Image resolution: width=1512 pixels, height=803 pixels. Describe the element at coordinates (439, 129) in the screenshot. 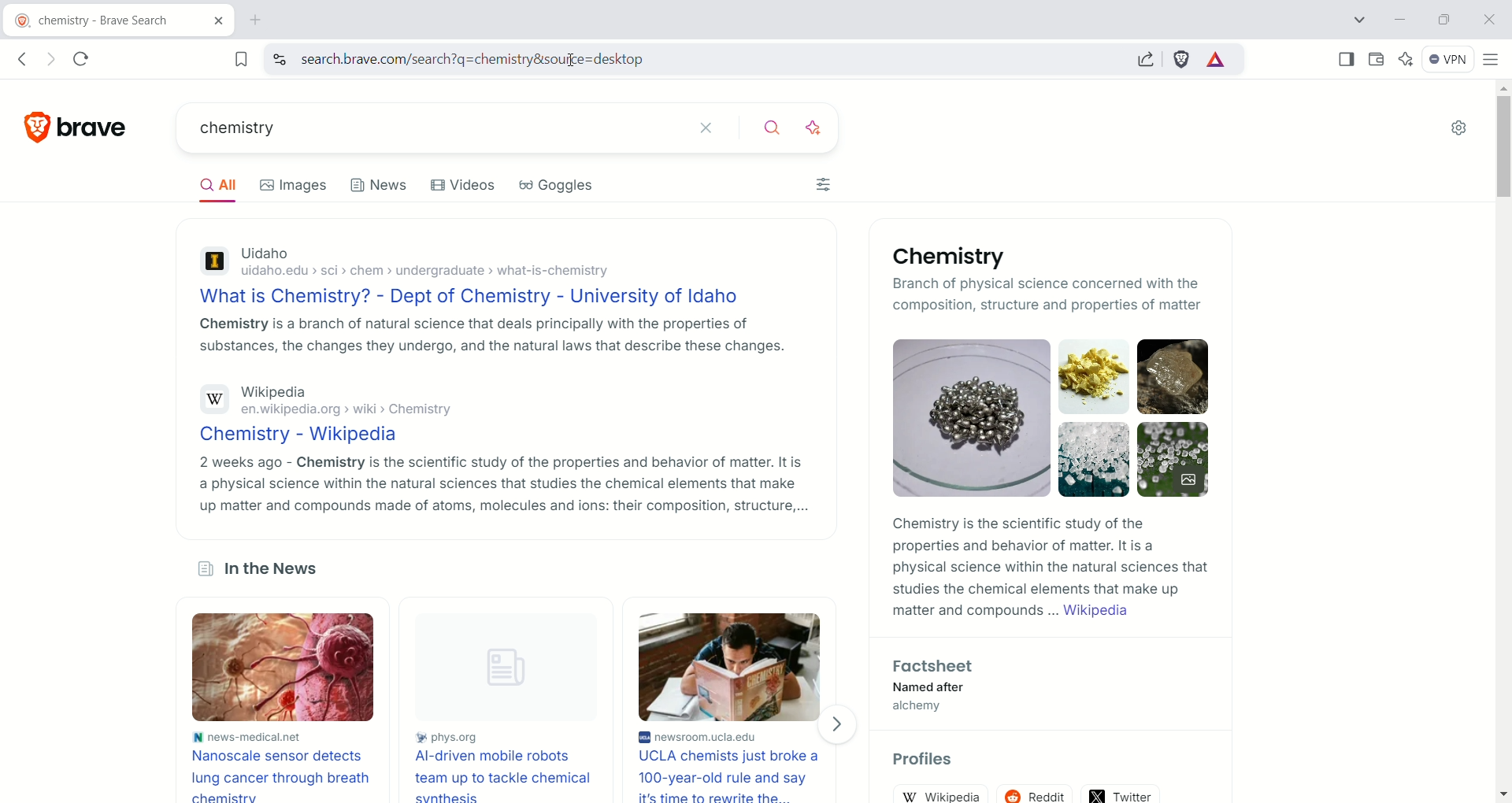

I see `chemistry` at that location.